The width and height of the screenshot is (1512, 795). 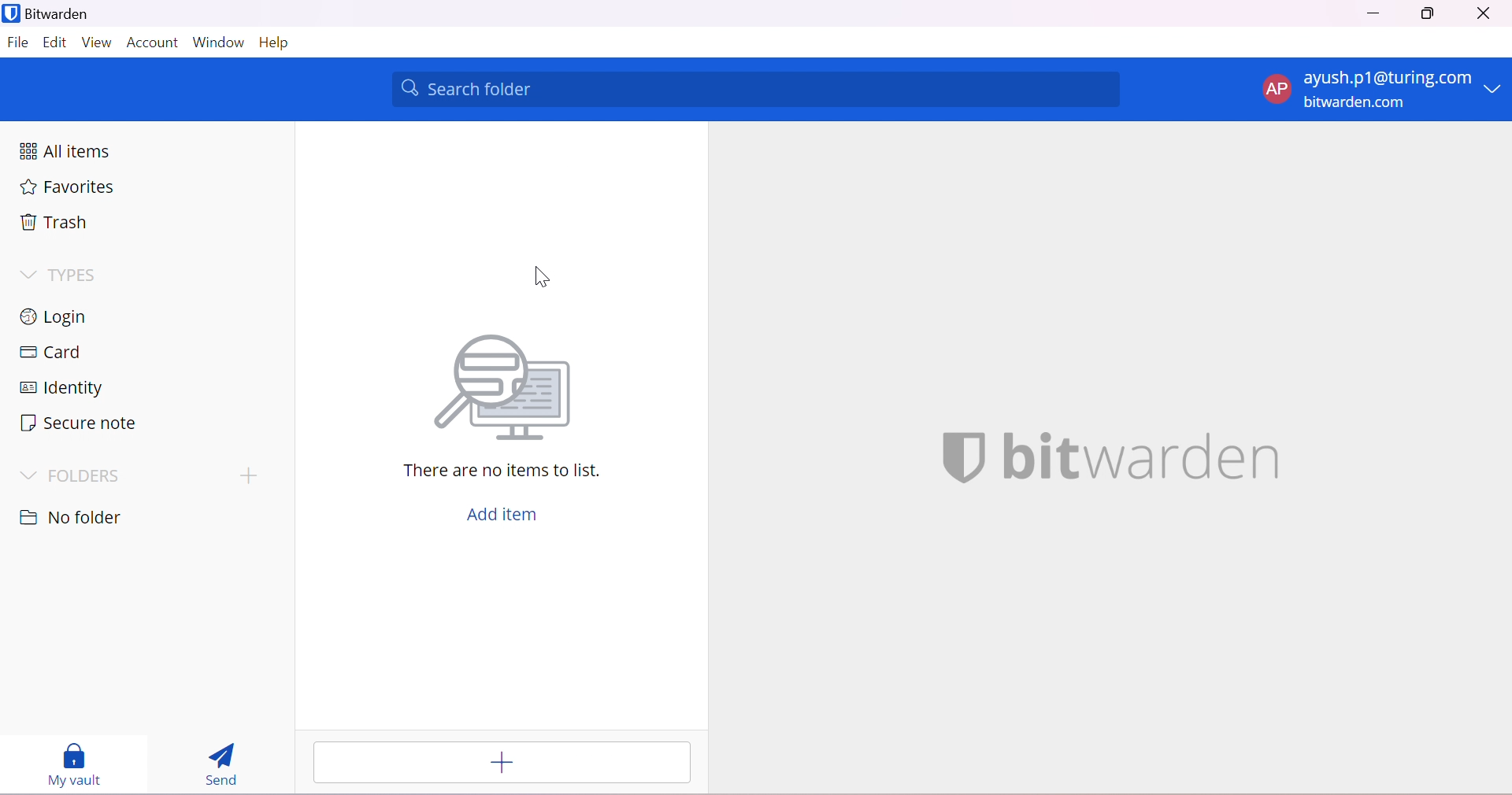 I want to click on Trash, so click(x=54, y=221).